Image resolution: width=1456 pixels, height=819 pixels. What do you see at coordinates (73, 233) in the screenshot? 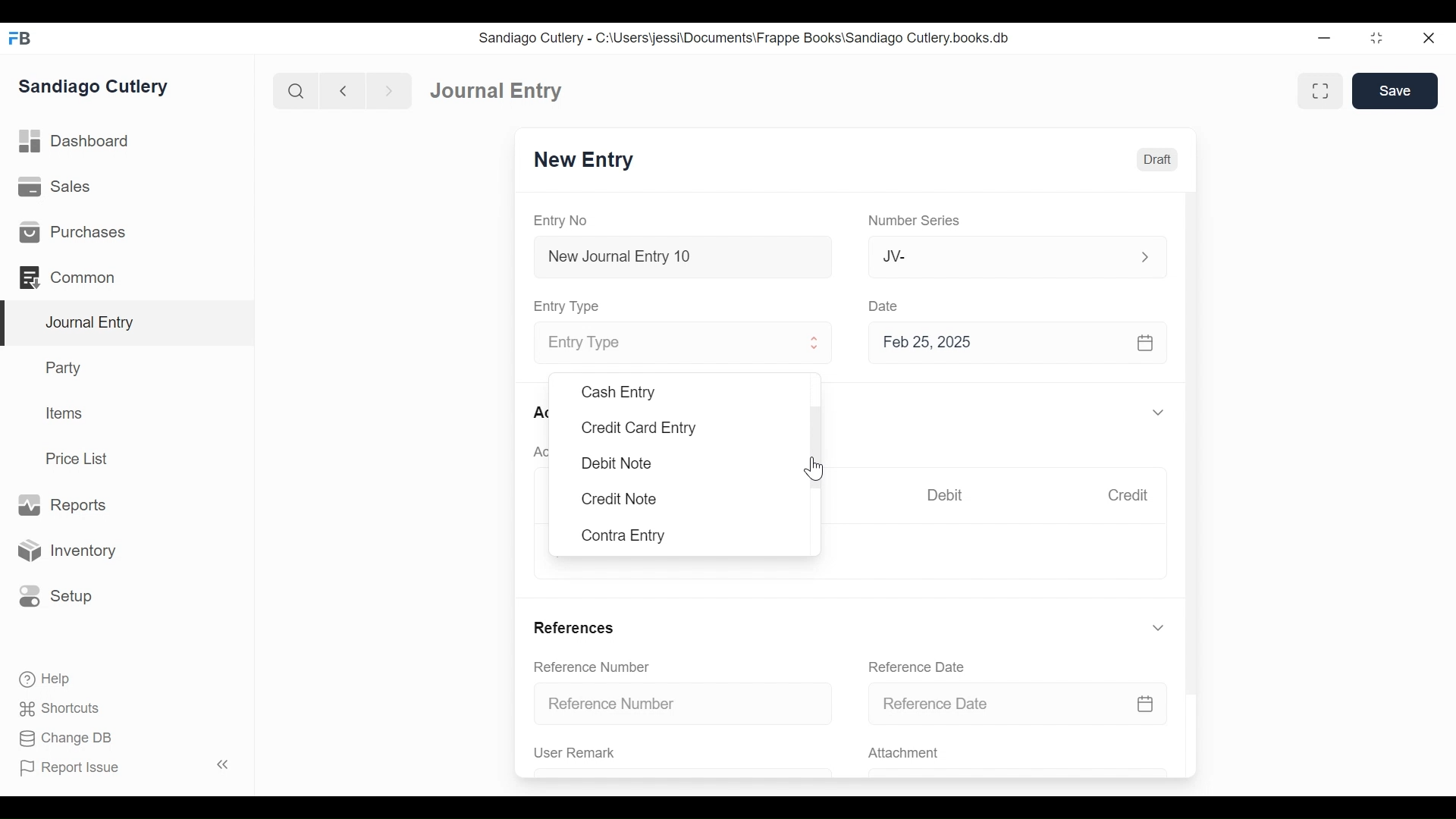
I see `Purchases` at bounding box center [73, 233].